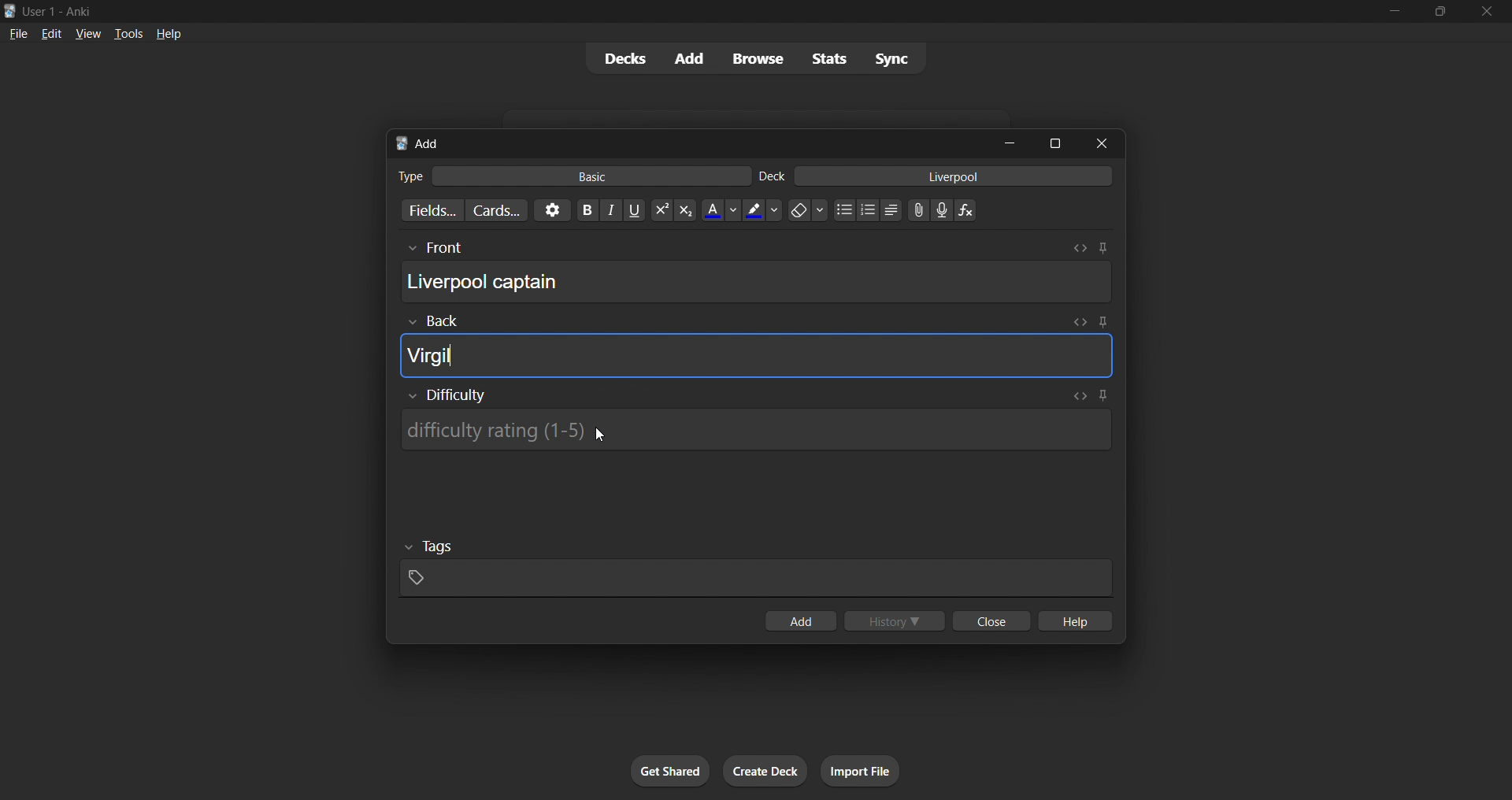 Image resolution: width=1512 pixels, height=800 pixels. I want to click on Text, so click(772, 176).